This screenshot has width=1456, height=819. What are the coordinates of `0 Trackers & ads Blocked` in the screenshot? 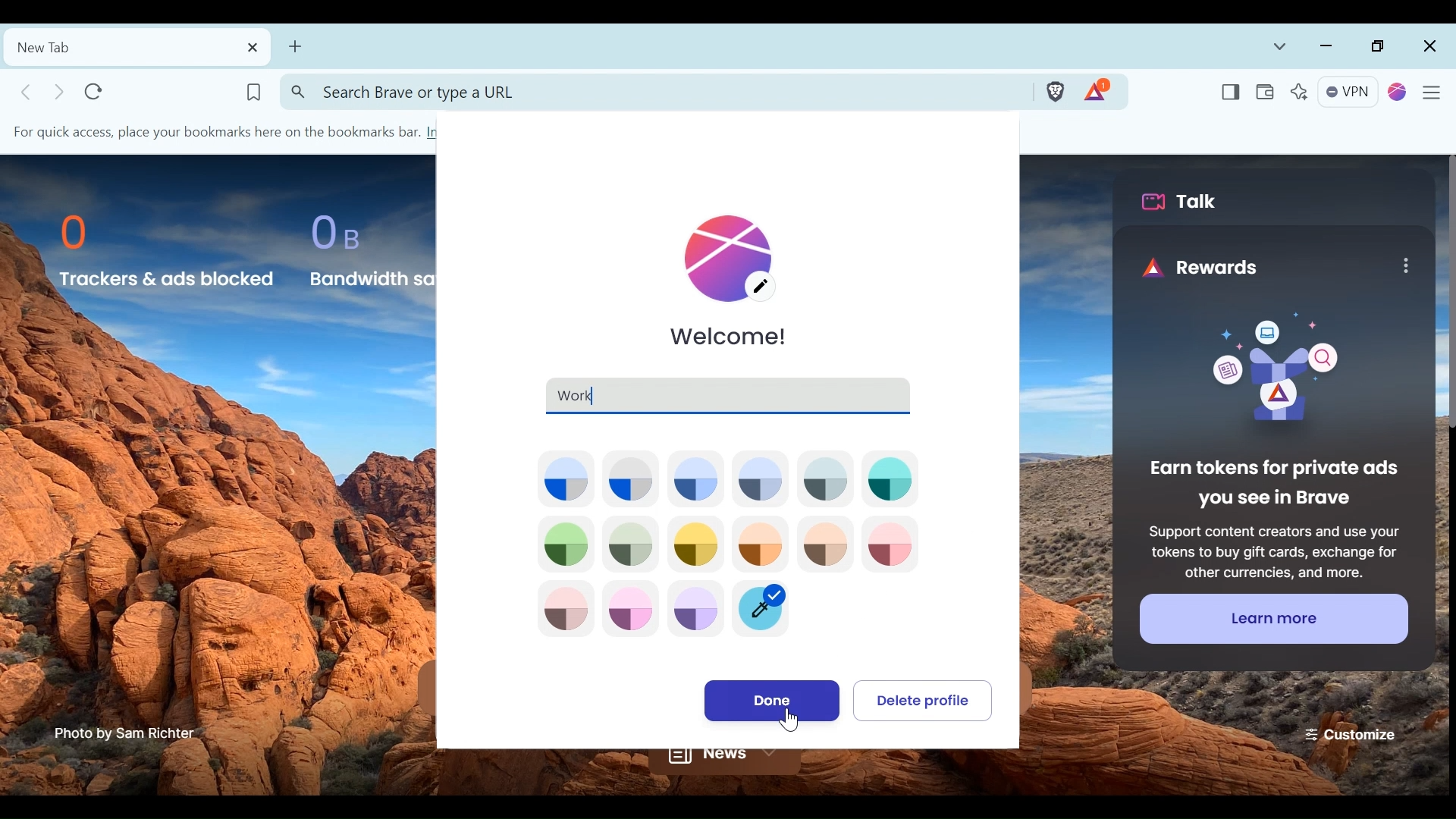 It's located at (168, 250).